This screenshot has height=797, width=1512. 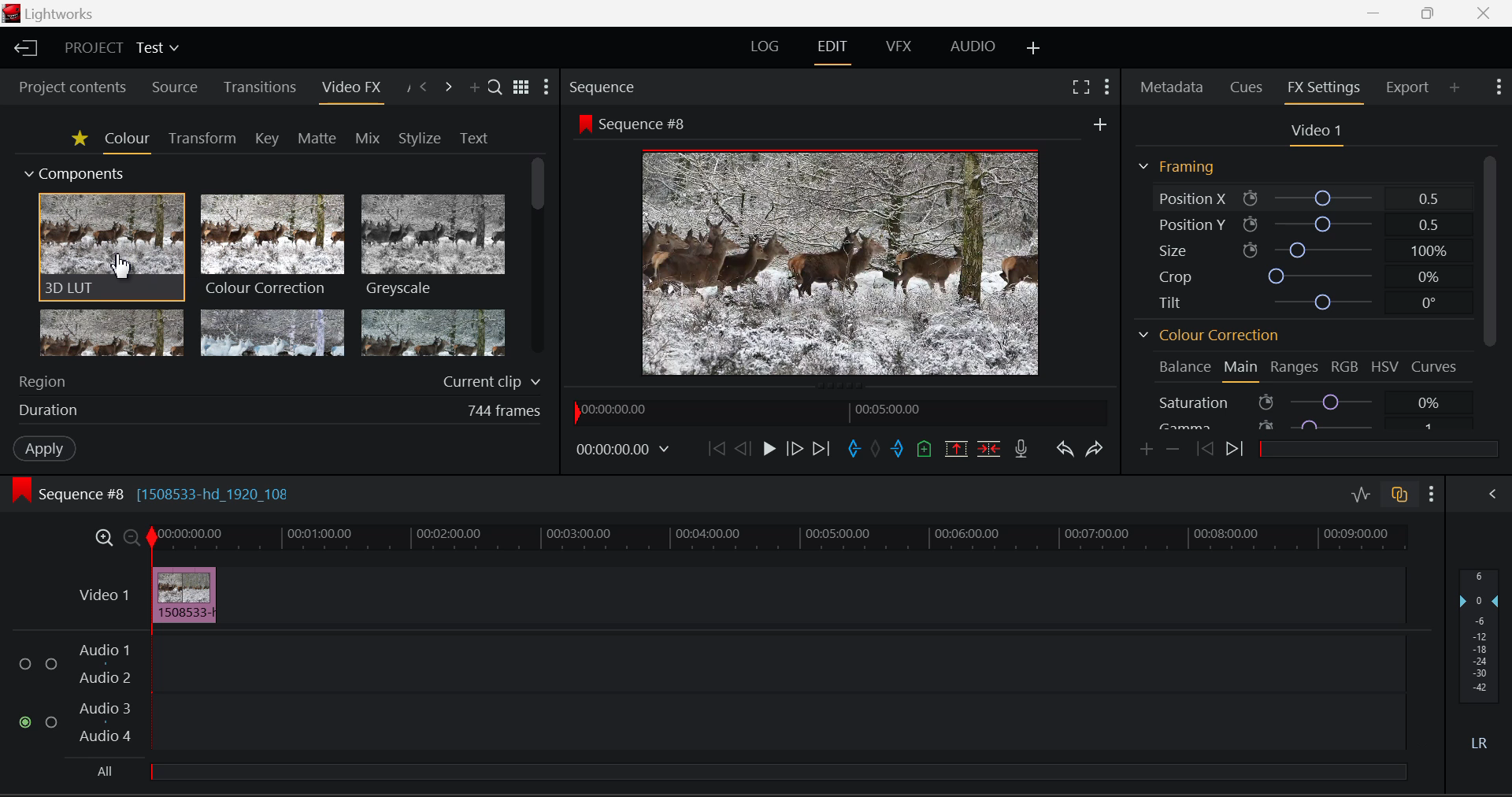 What do you see at coordinates (123, 46) in the screenshot?
I see `Project Title` at bounding box center [123, 46].